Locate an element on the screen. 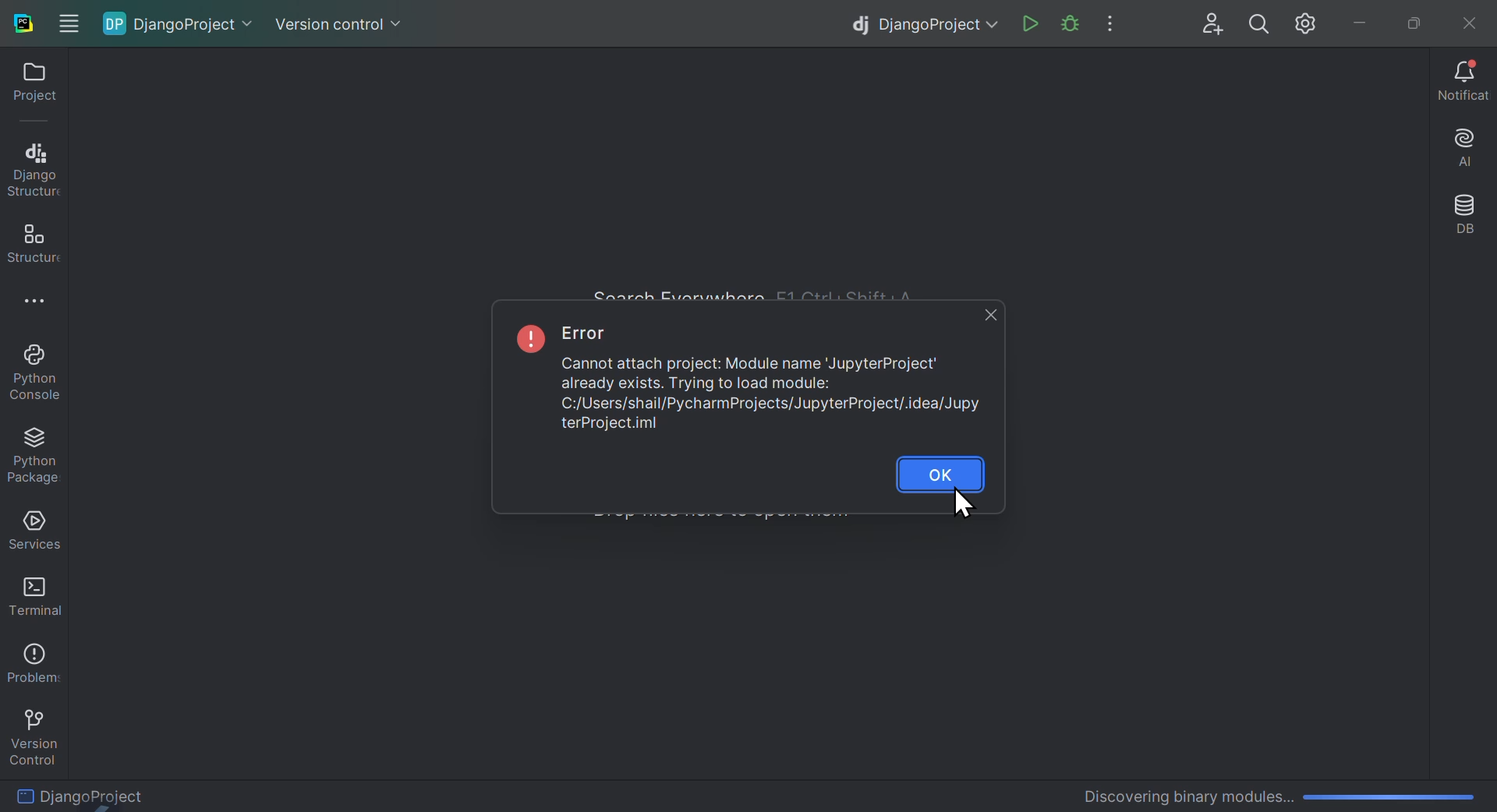 Image resolution: width=1497 pixels, height=812 pixels. Run project file is located at coordinates (1069, 24).